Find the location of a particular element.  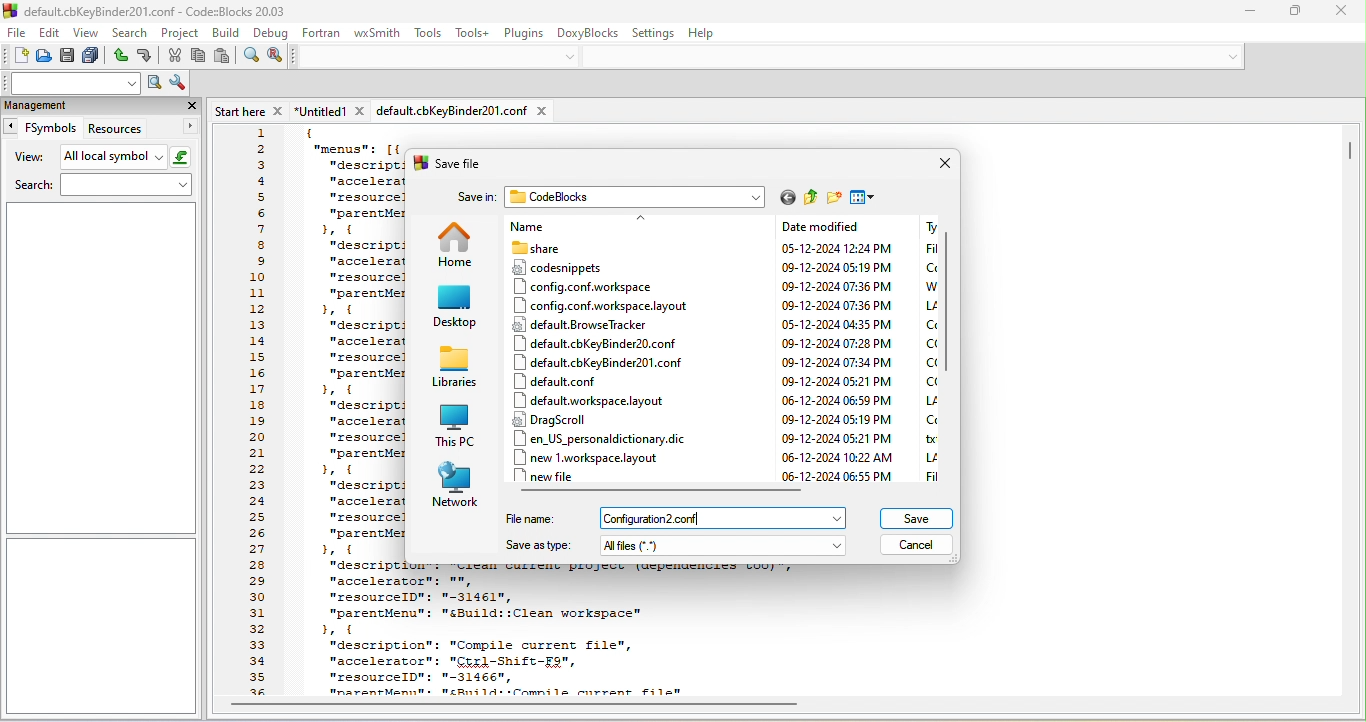

management is located at coordinates (77, 106).